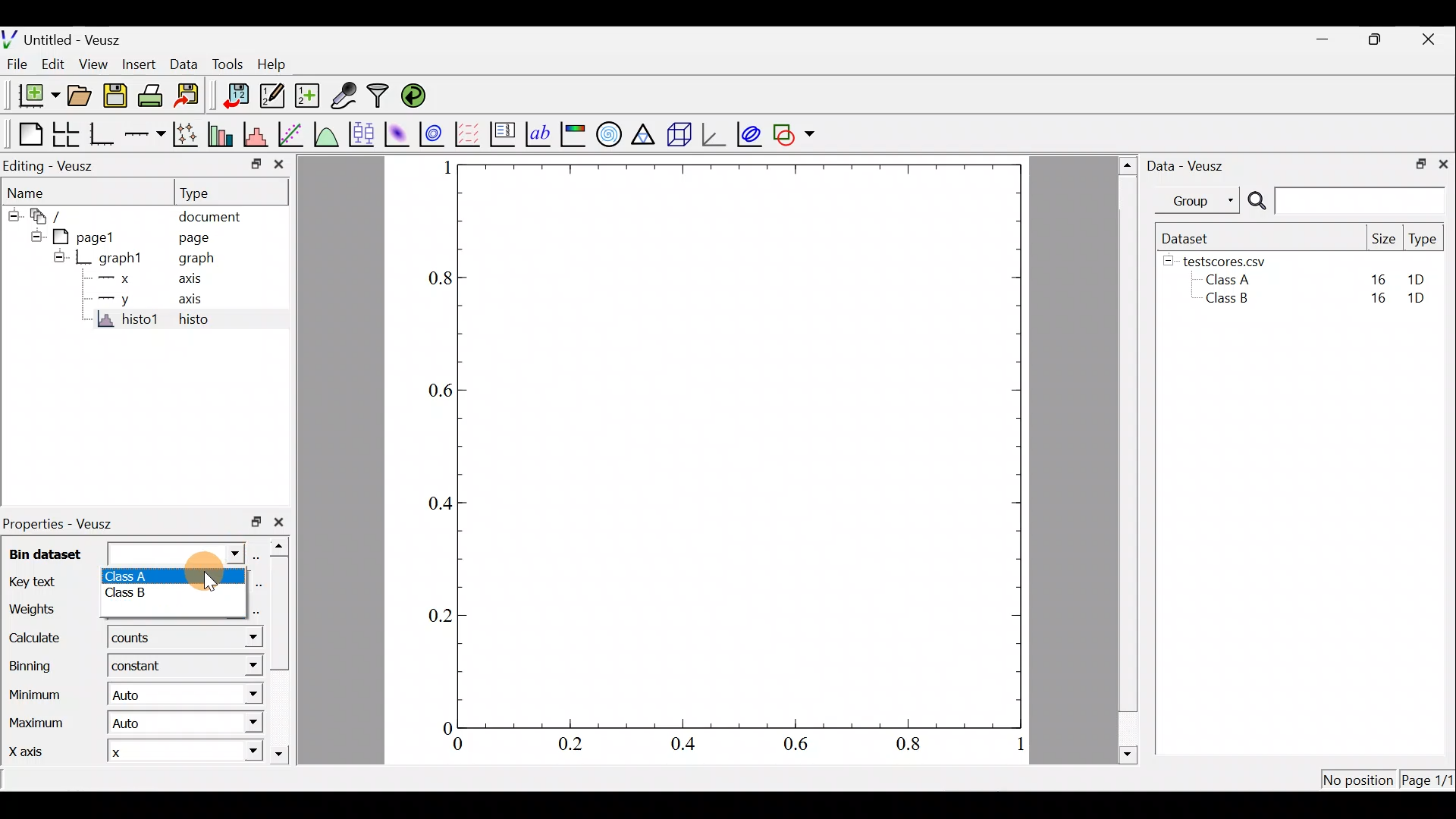 The image size is (1456, 819). I want to click on 0.2, so click(436, 613).